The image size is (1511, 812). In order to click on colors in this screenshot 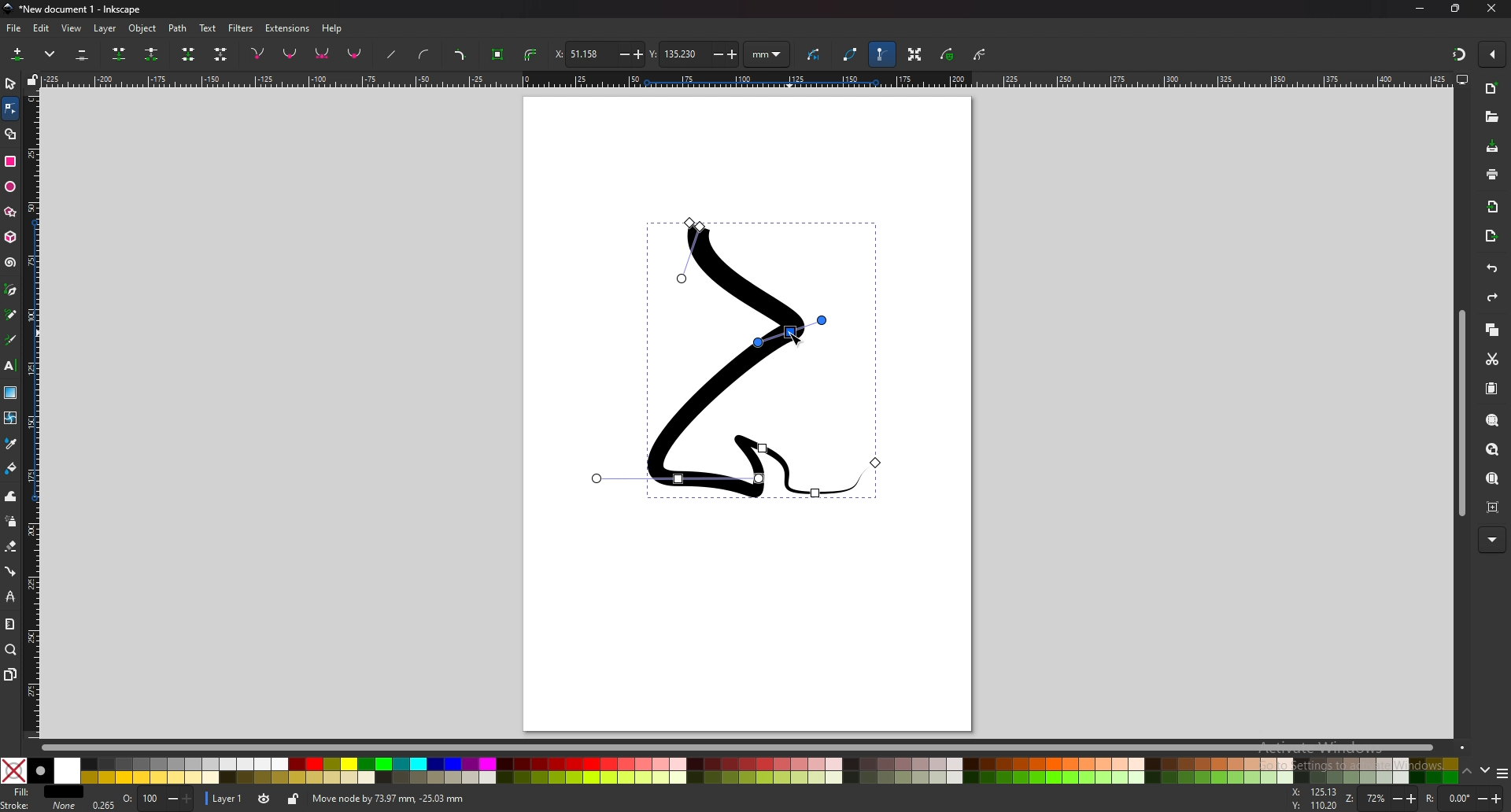, I will do `click(728, 771)`.